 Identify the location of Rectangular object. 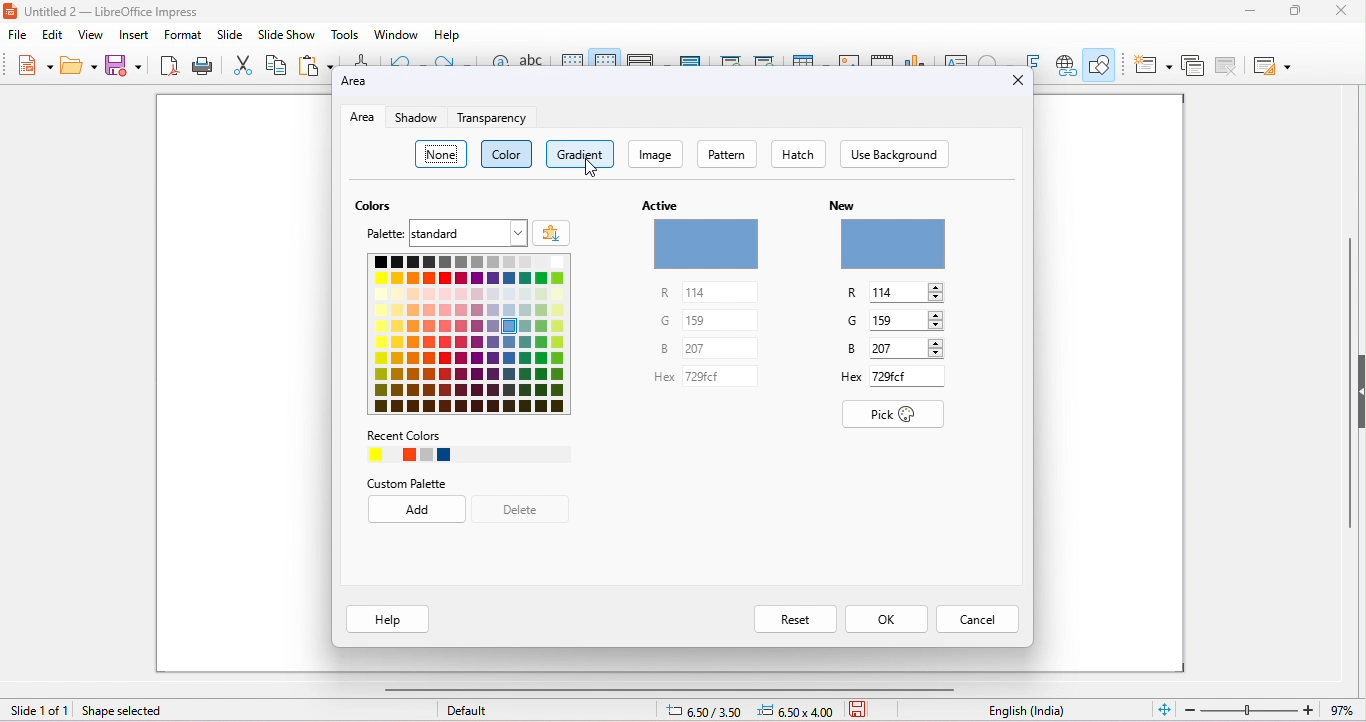
(892, 244).